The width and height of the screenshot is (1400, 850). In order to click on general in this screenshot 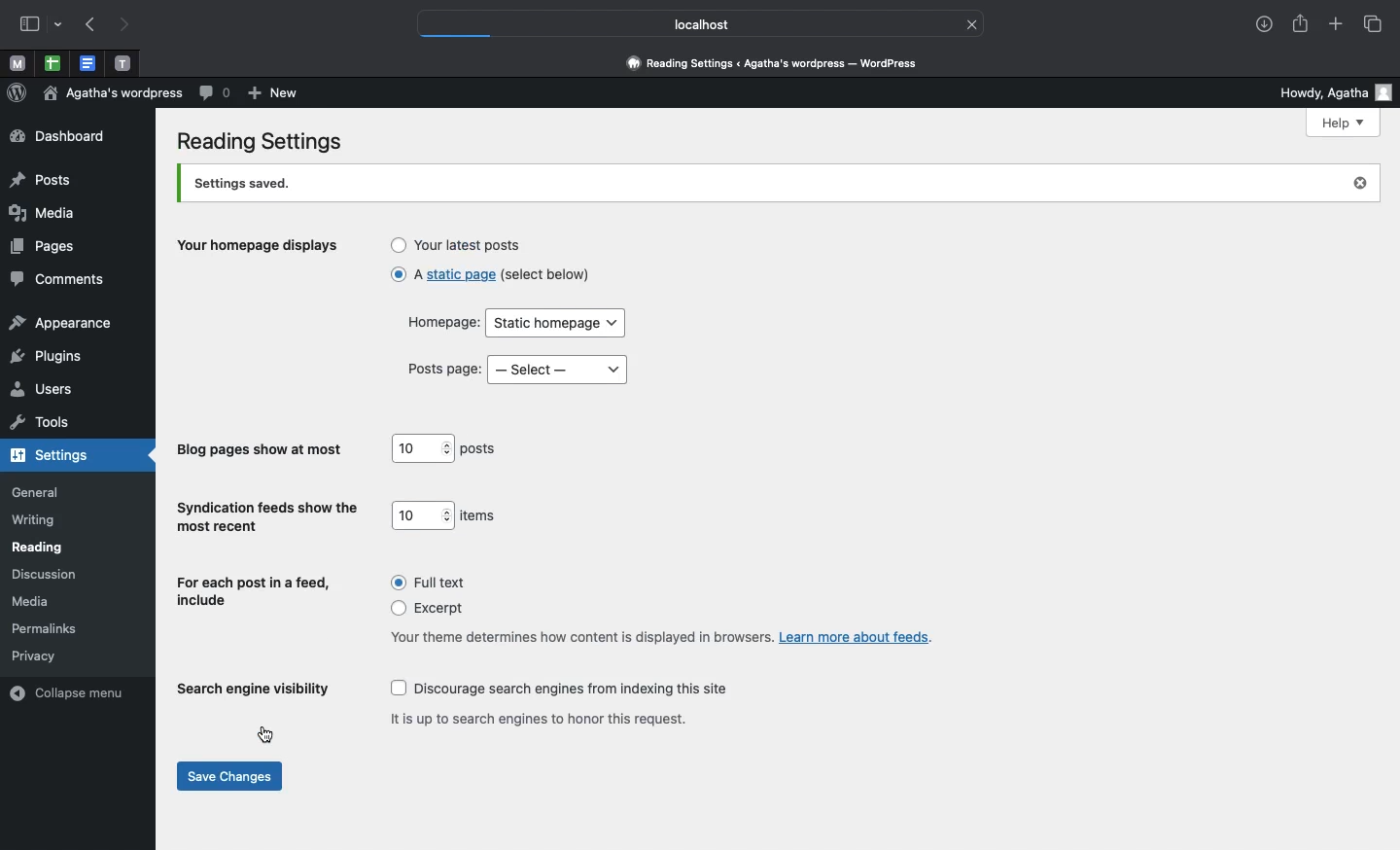, I will do `click(36, 492)`.